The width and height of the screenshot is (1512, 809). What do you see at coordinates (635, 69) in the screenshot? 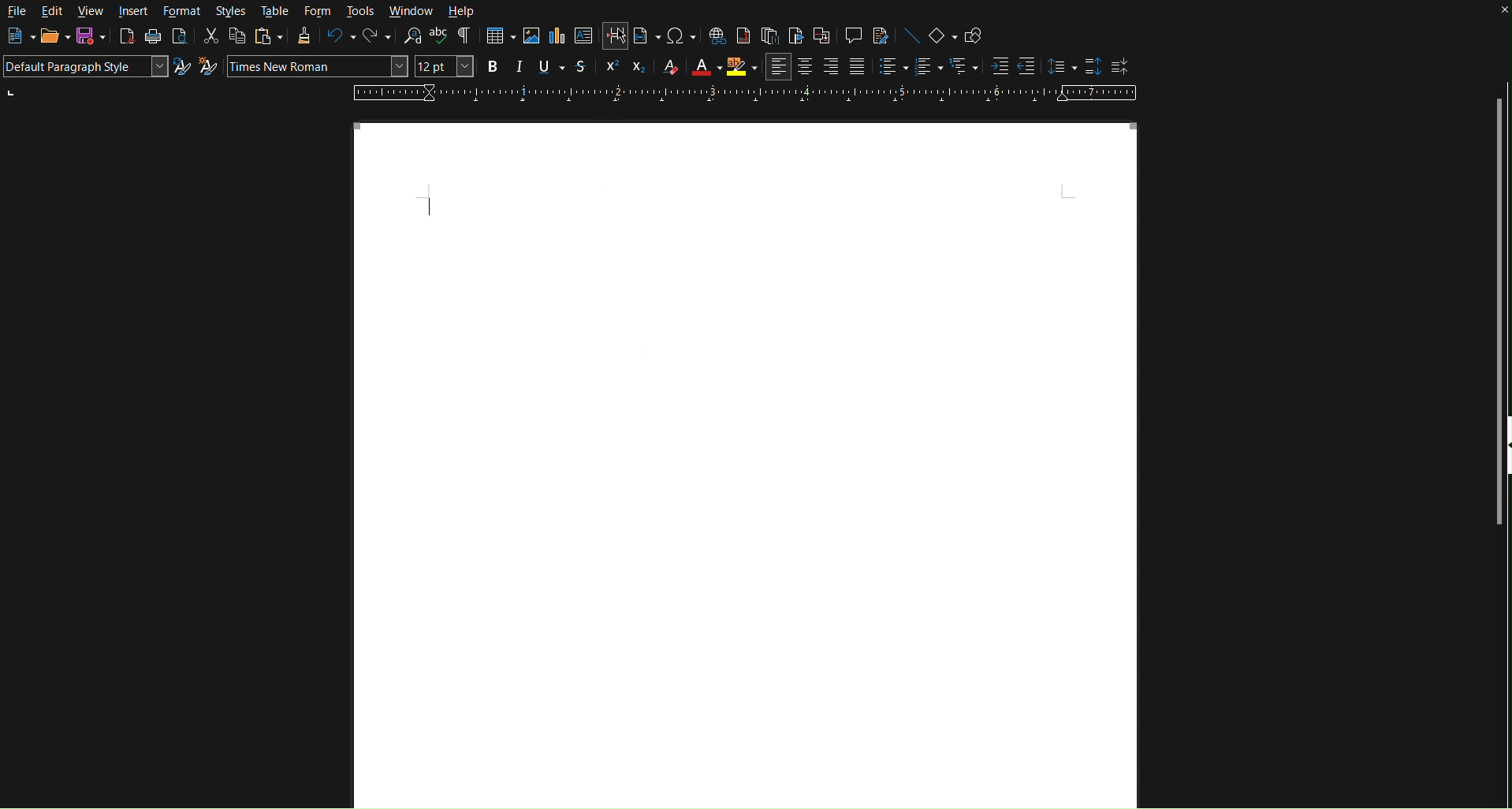
I see `Subscript` at bounding box center [635, 69].